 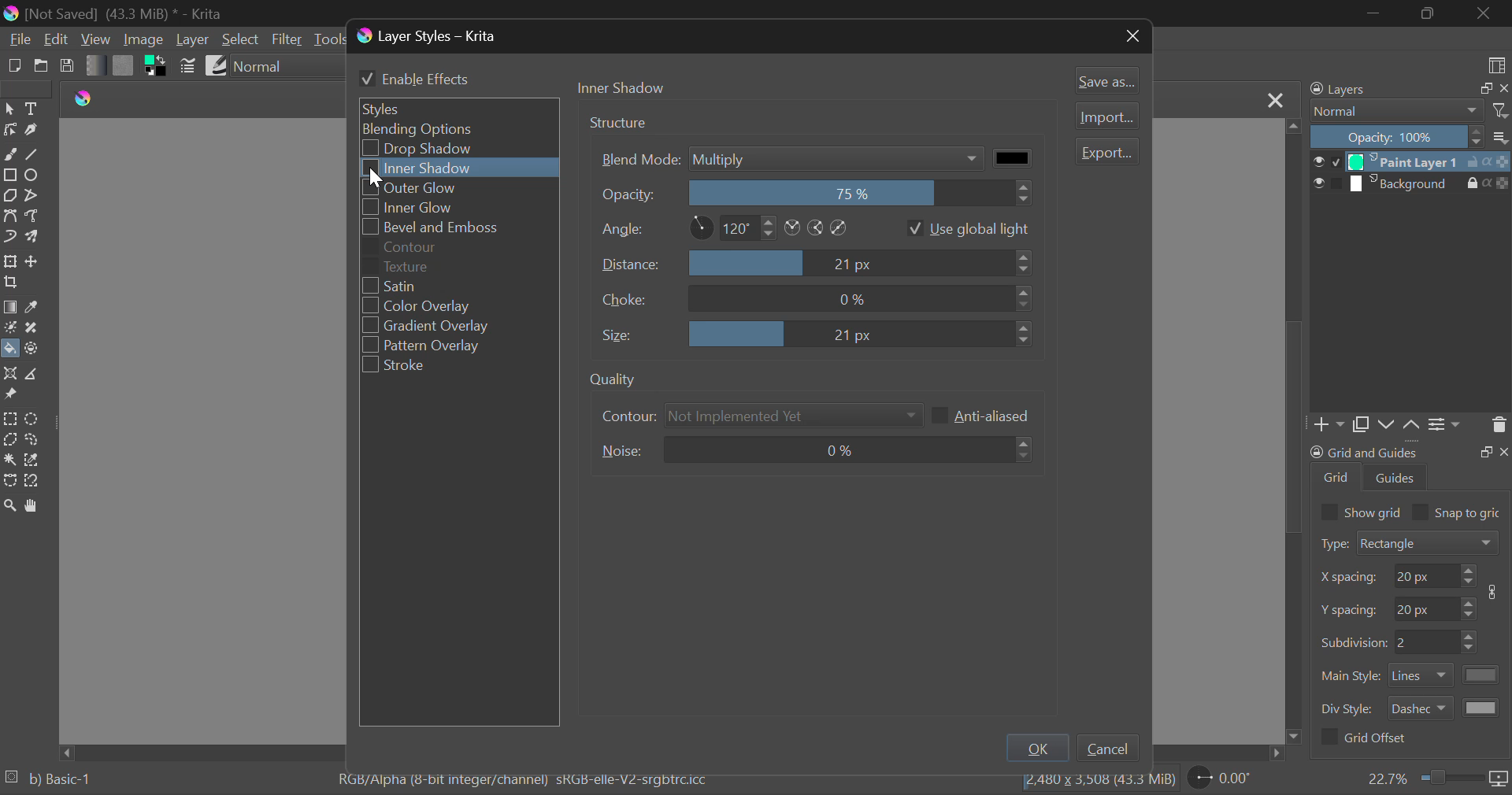 What do you see at coordinates (33, 418) in the screenshot?
I see `Circular Selection` at bounding box center [33, 418].